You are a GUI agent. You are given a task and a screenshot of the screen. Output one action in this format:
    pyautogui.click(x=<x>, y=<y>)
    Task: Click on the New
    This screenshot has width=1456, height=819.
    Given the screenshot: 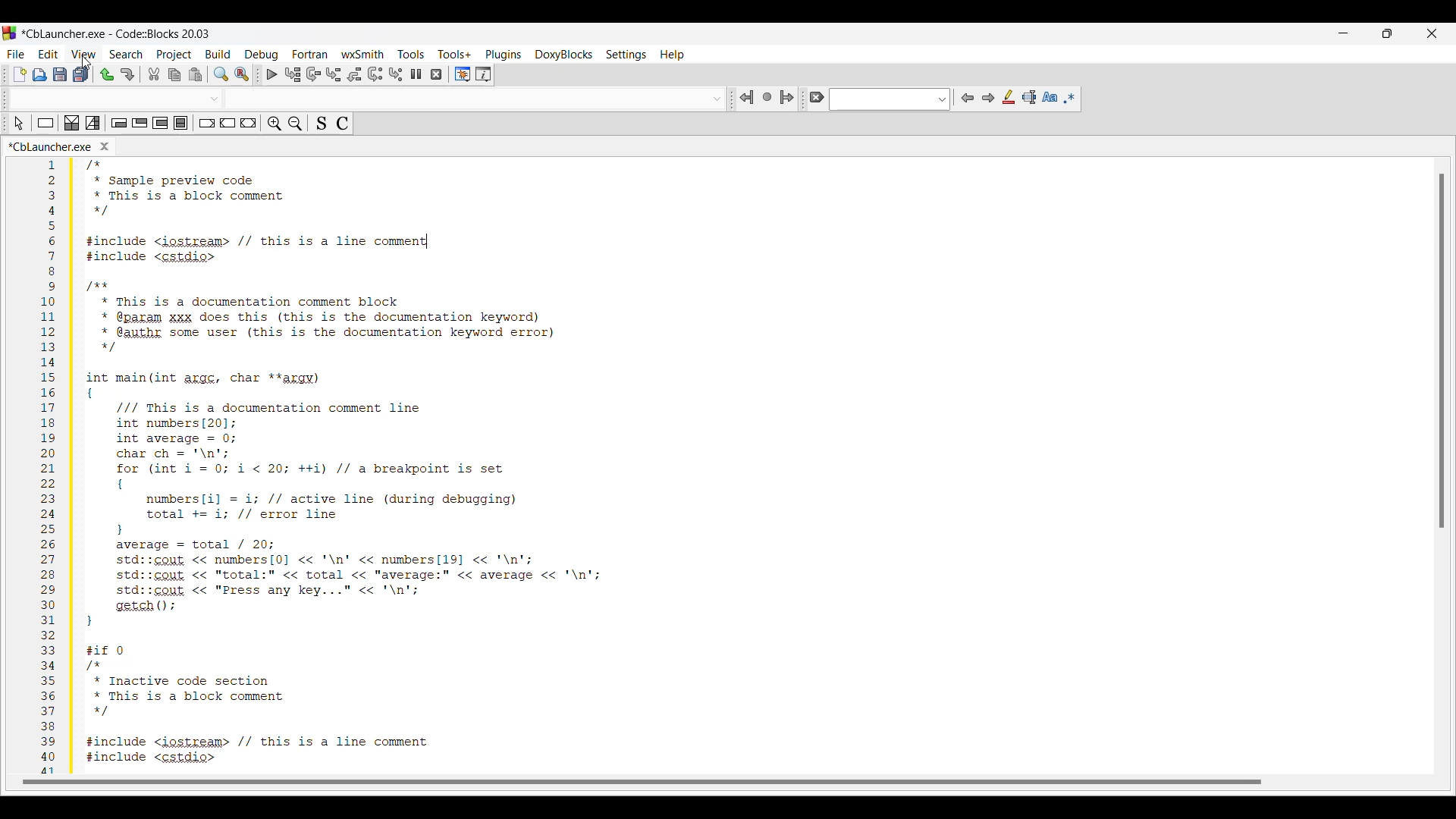 What is the action you would take?
    pyautogui.click(x=20, y=74)
    